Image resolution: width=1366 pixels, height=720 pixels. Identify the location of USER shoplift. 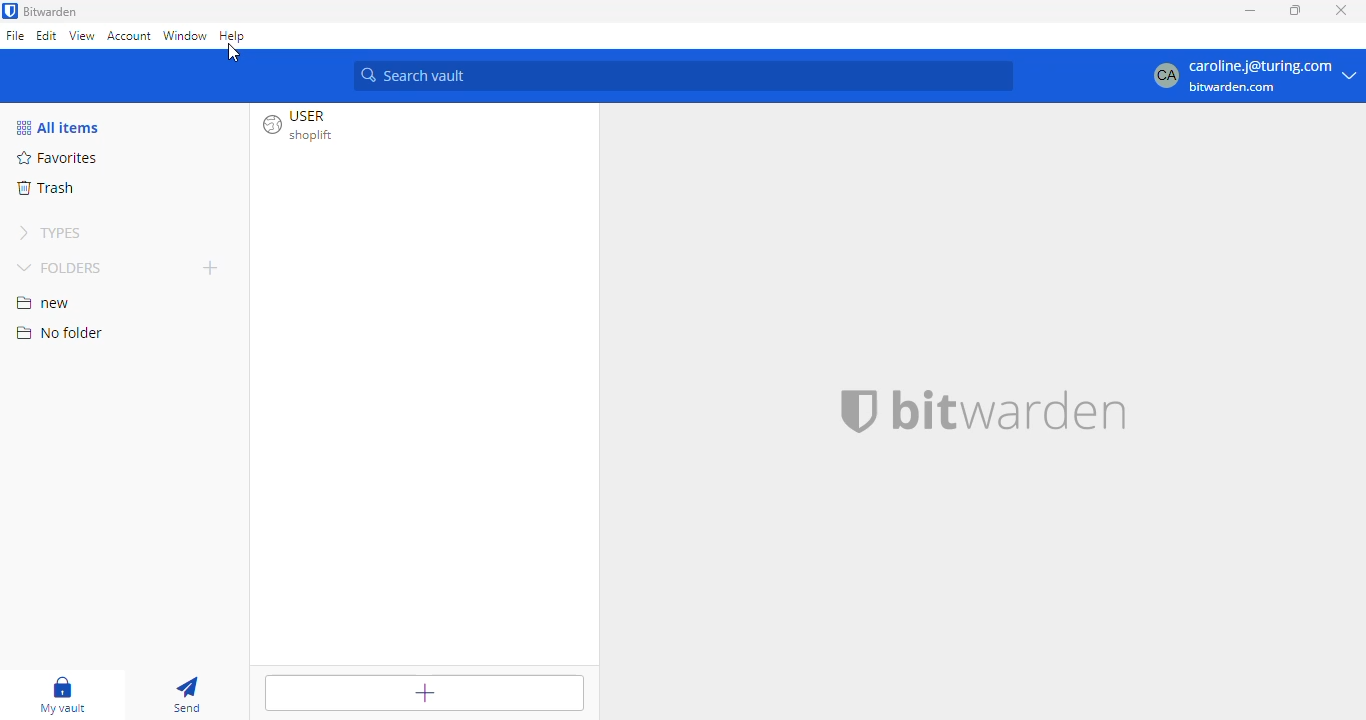
(306, 128).